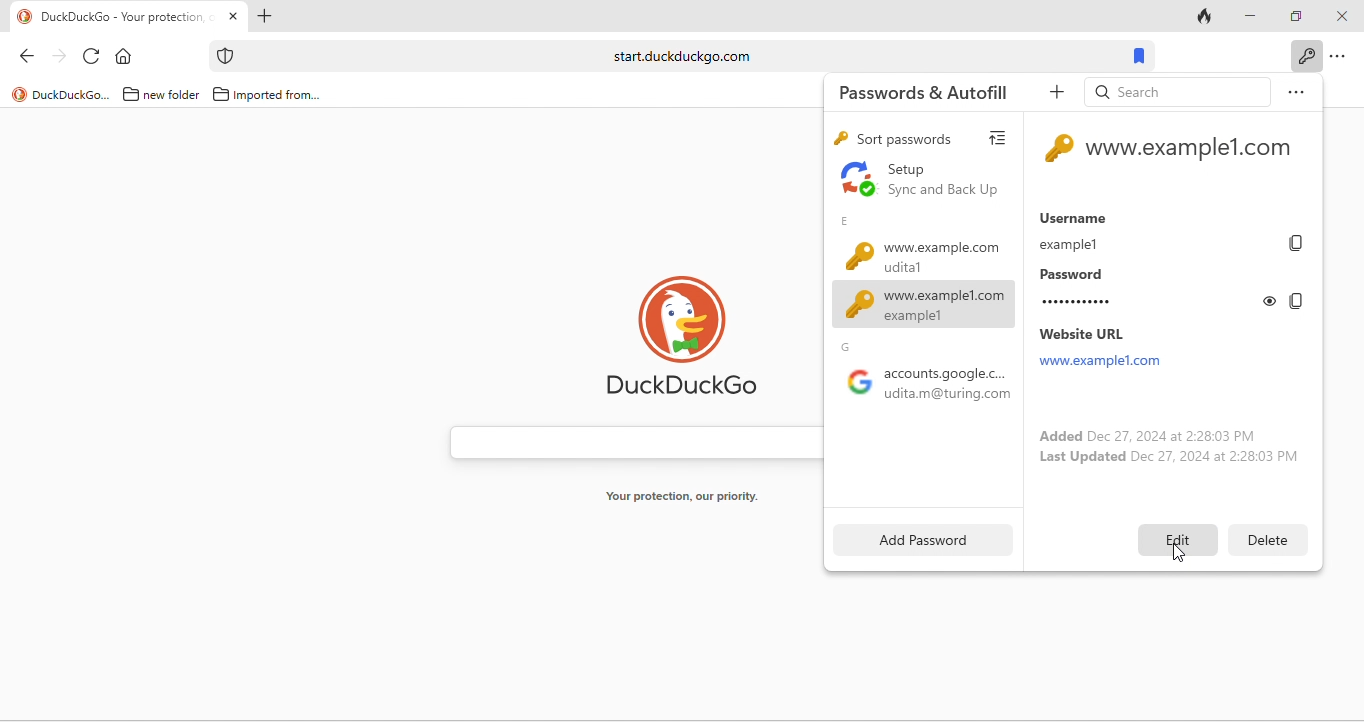 Image resolution: width=1364 pixels, height=722 pixels. Describe the element at coordinates (1003, 135) in the screenshot. I see `view` at that location.